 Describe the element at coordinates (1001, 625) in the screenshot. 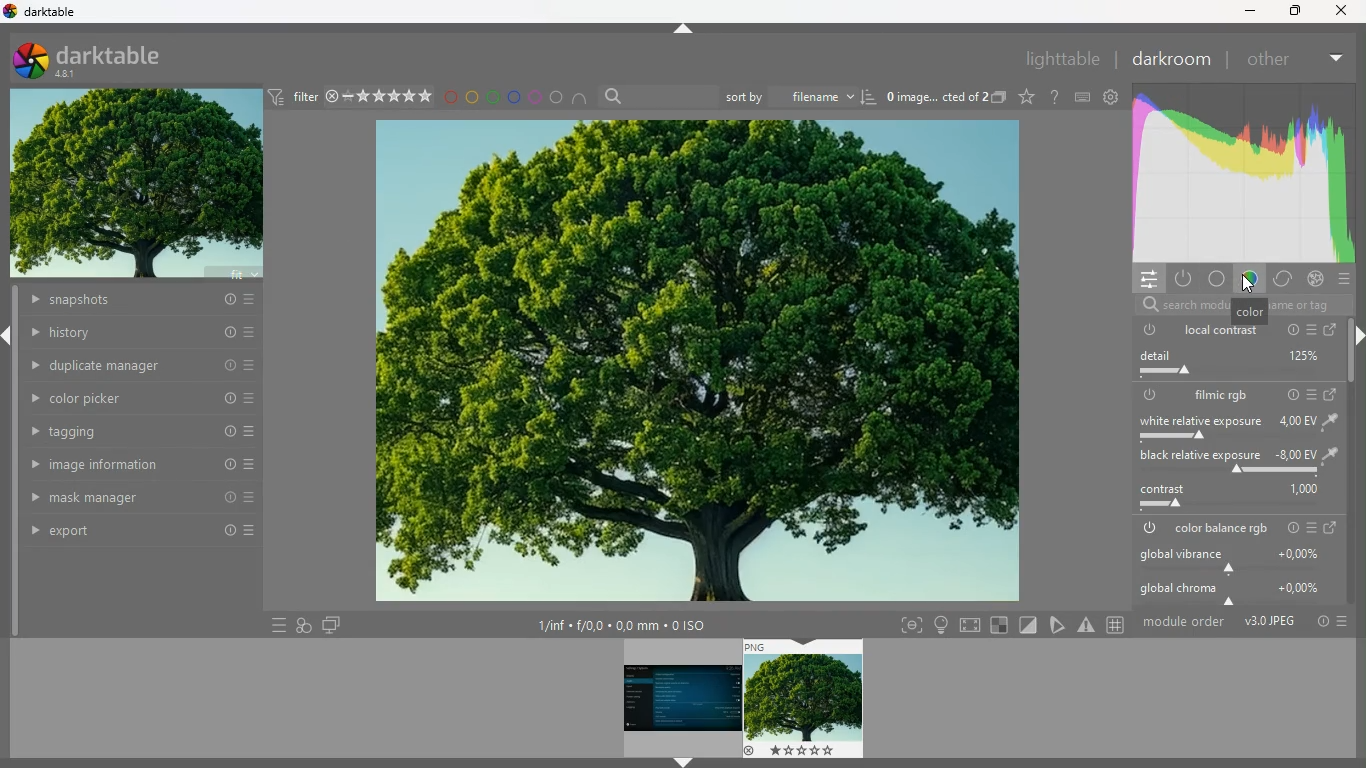

I see `setorize` at that location.